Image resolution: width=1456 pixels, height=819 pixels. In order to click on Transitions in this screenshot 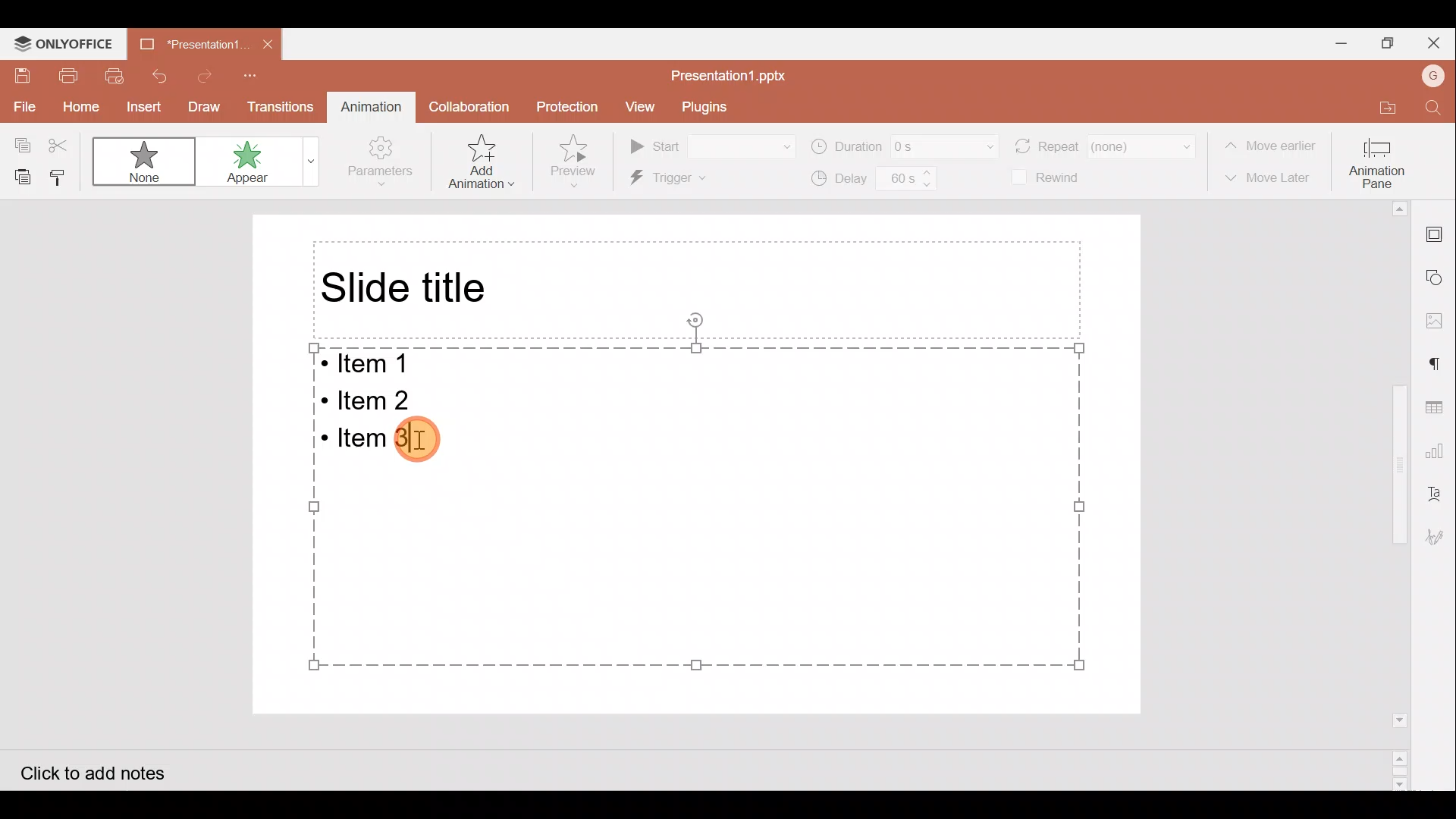, I will do `click(275, 106)`.